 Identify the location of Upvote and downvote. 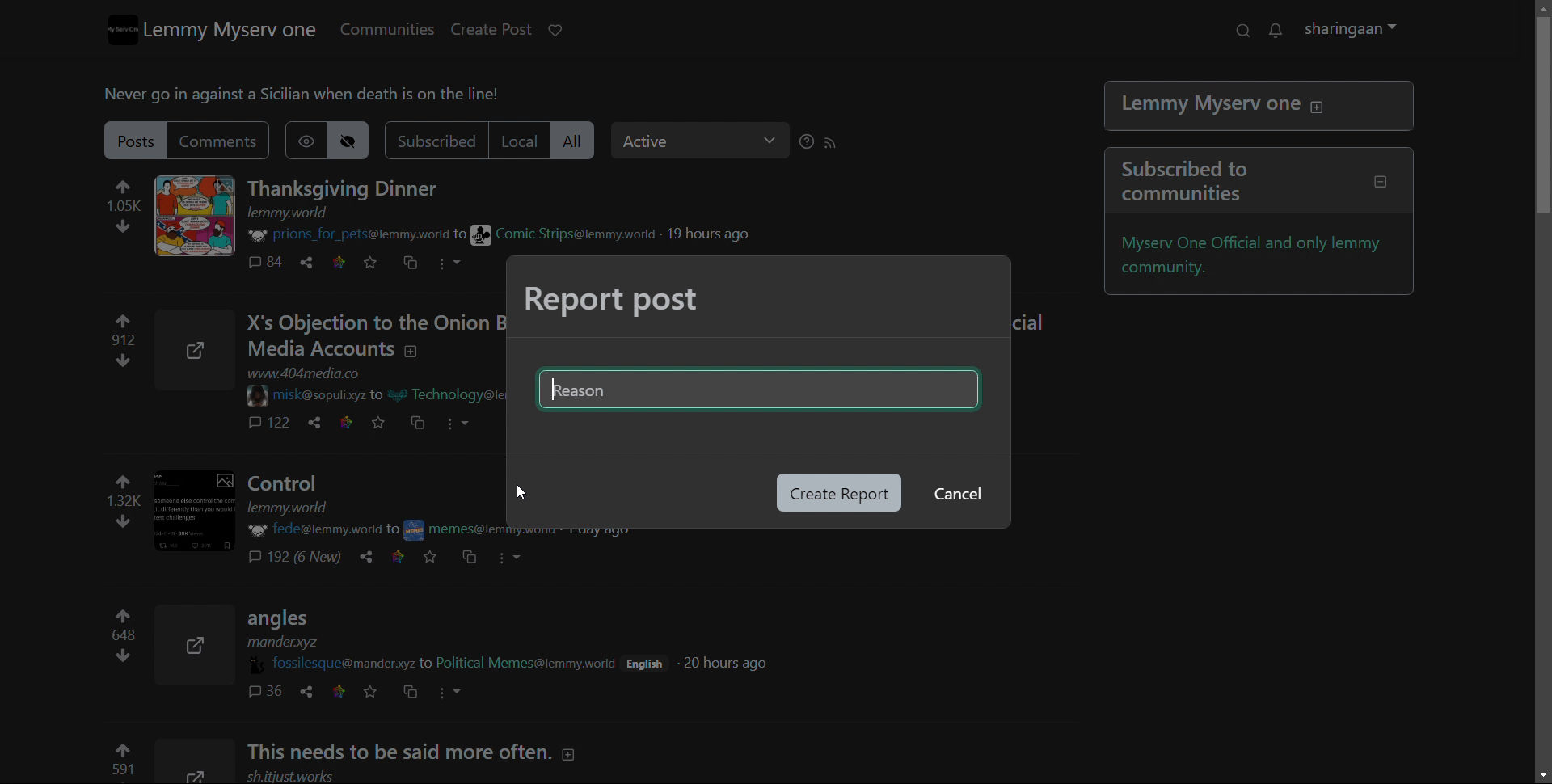
(120, 344).